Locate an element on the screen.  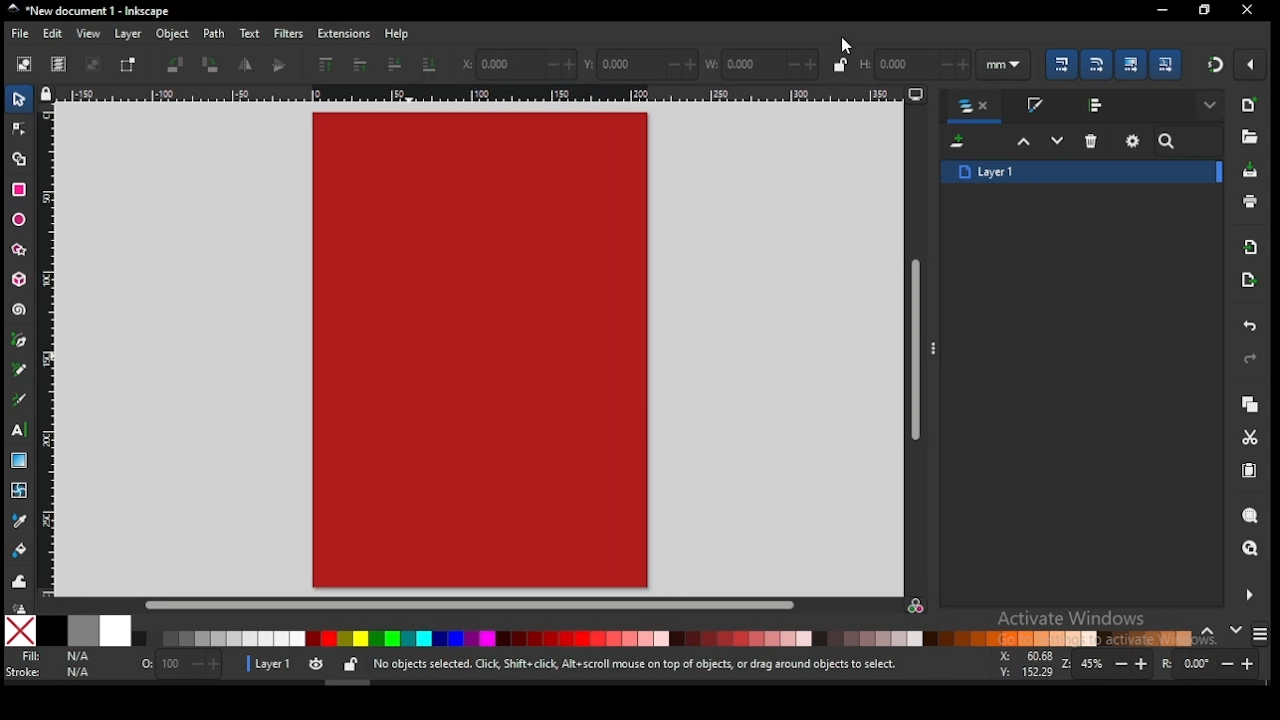
lock is located at coordinates (840, 64).